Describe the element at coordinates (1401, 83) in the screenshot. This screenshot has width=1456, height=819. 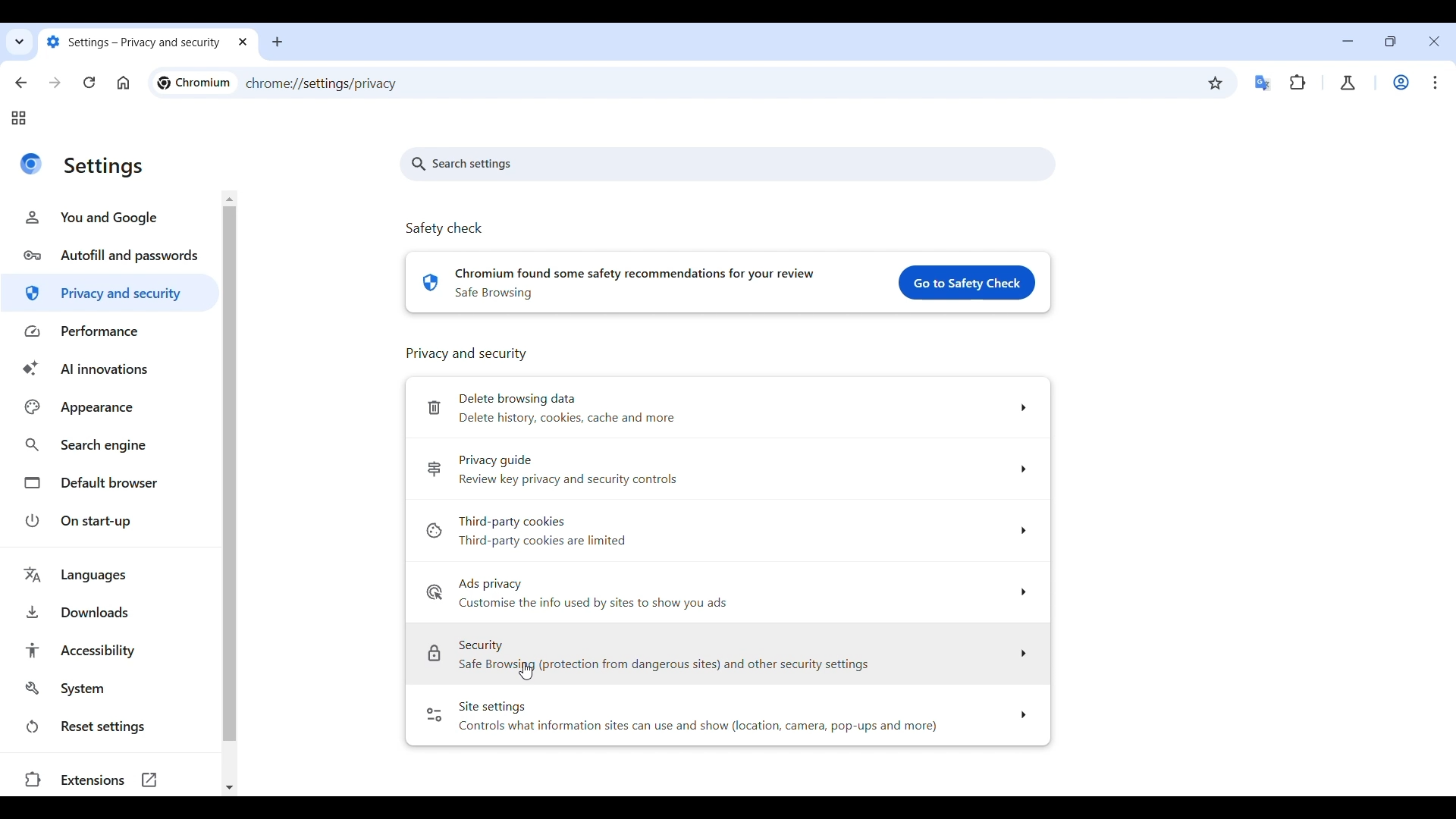
I see `Work` at that location.